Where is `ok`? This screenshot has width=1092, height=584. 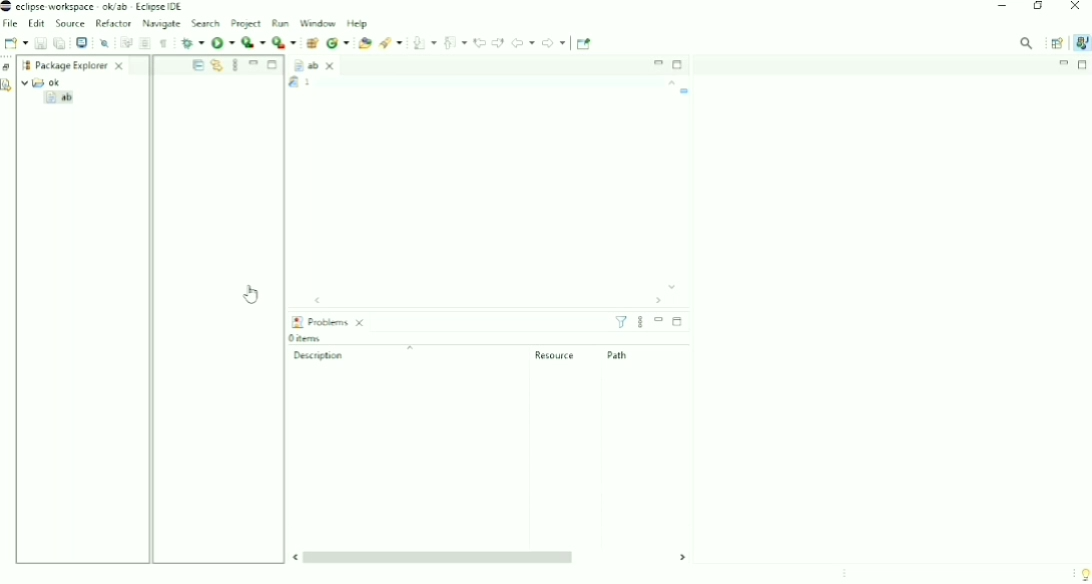 ok is located at coordinates (42, 82).